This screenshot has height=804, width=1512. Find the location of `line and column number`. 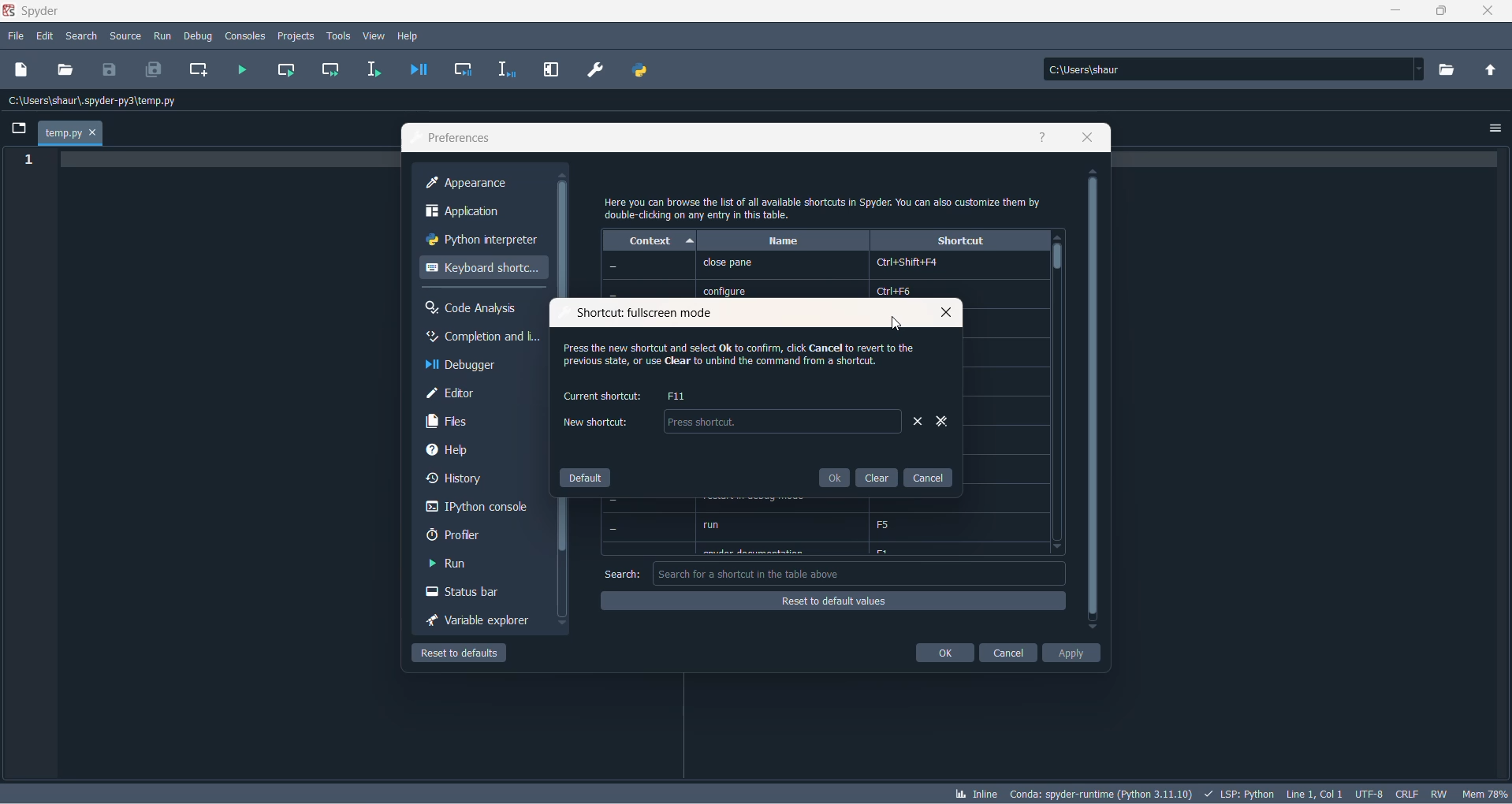

line and column number is located at coordinates (1315, 791).